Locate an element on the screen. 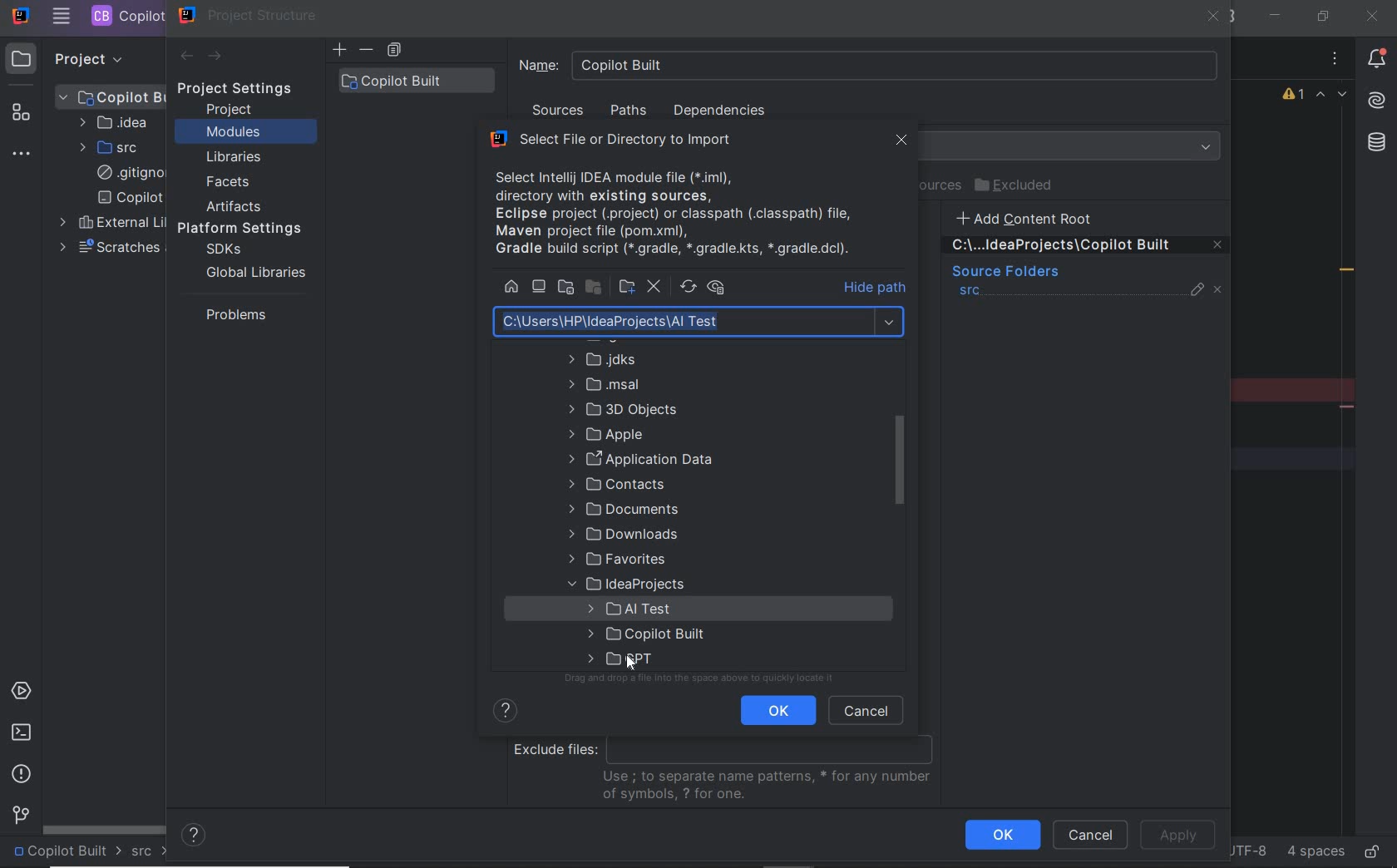  folder is located at coordinates (617, 559).